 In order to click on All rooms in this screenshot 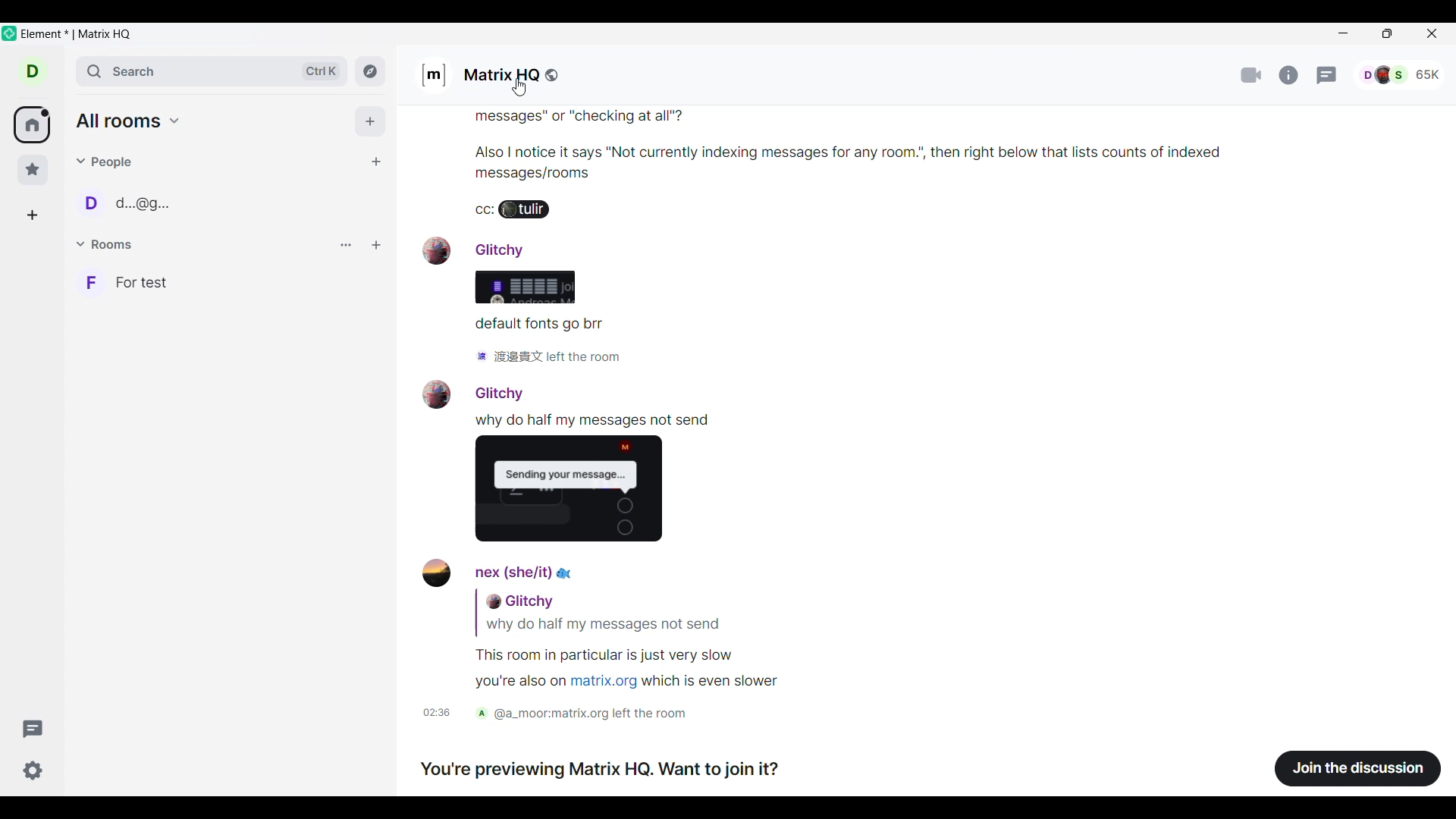, I will do `click(128, 121)`.